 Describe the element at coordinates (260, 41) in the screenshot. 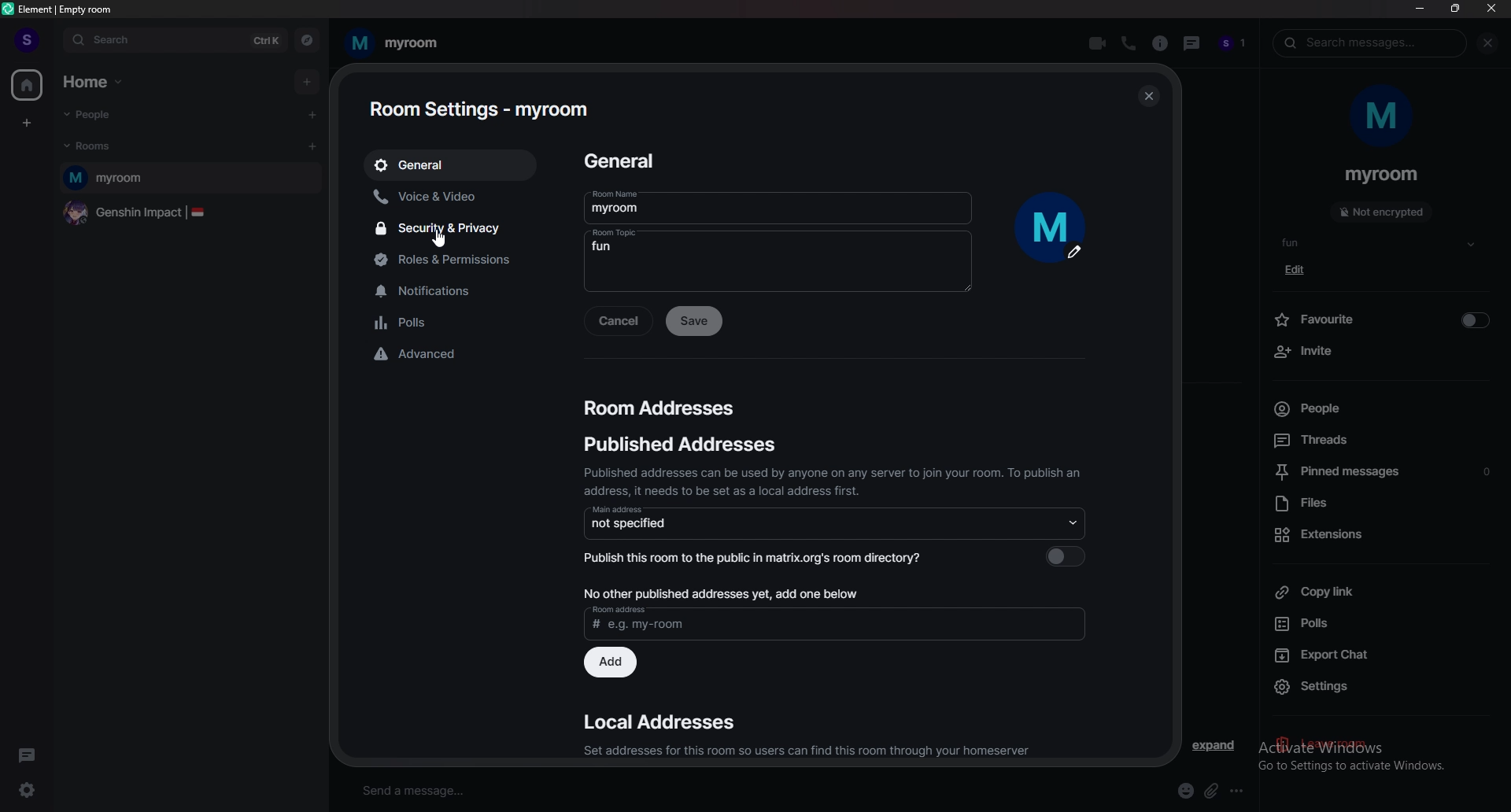

I see `ctrl k` at that location.